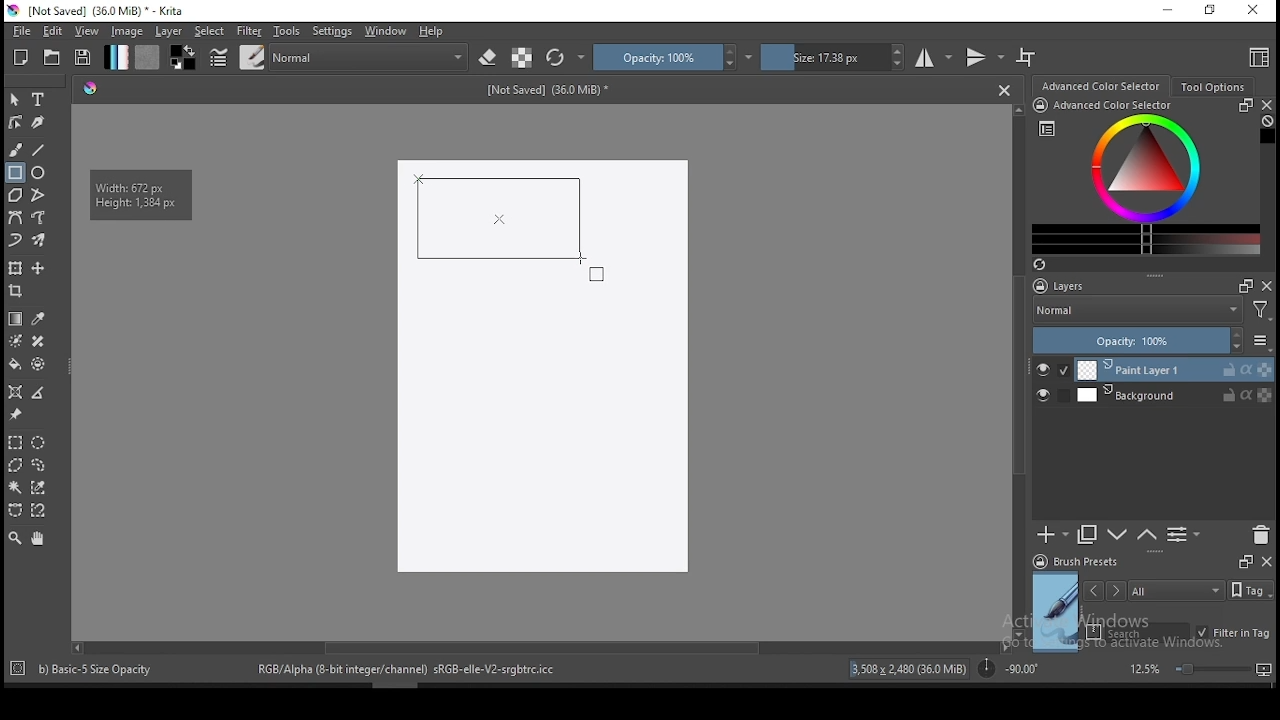 This screenshot has height=720, width=1280. I want to click on similar color selection tool, so click(41, 487).